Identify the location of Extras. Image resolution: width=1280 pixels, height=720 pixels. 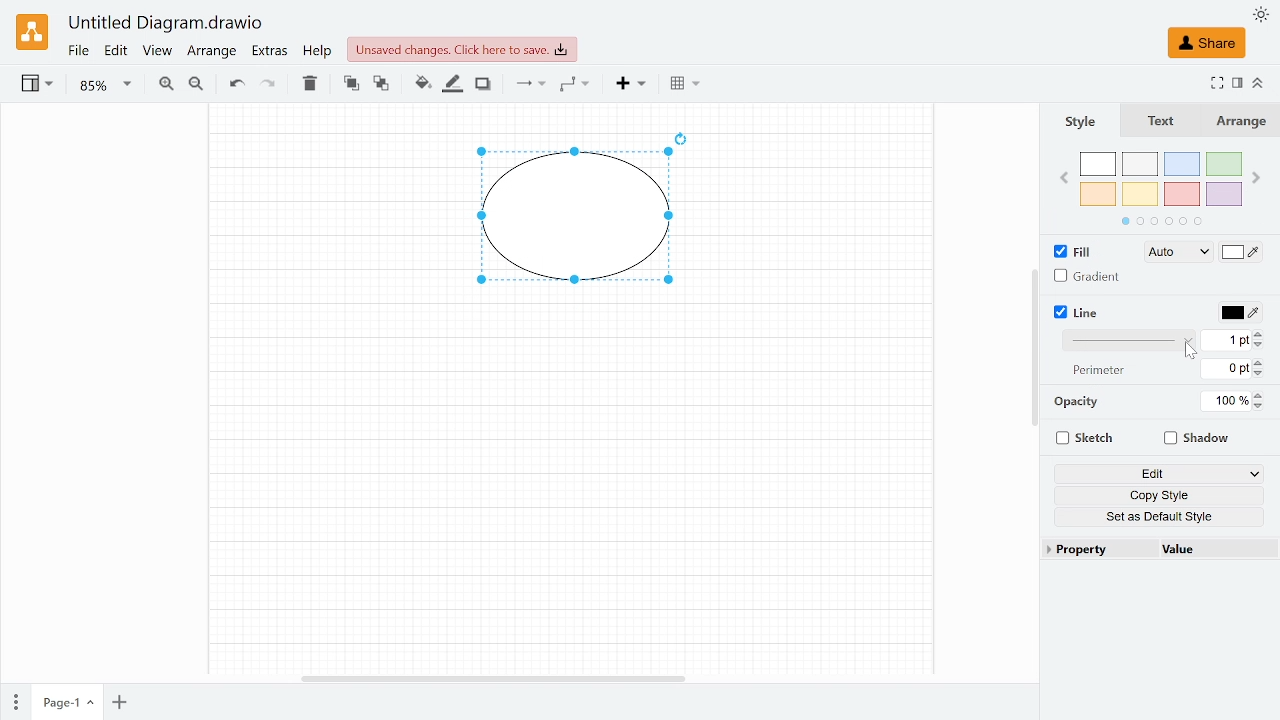
(270, 52).